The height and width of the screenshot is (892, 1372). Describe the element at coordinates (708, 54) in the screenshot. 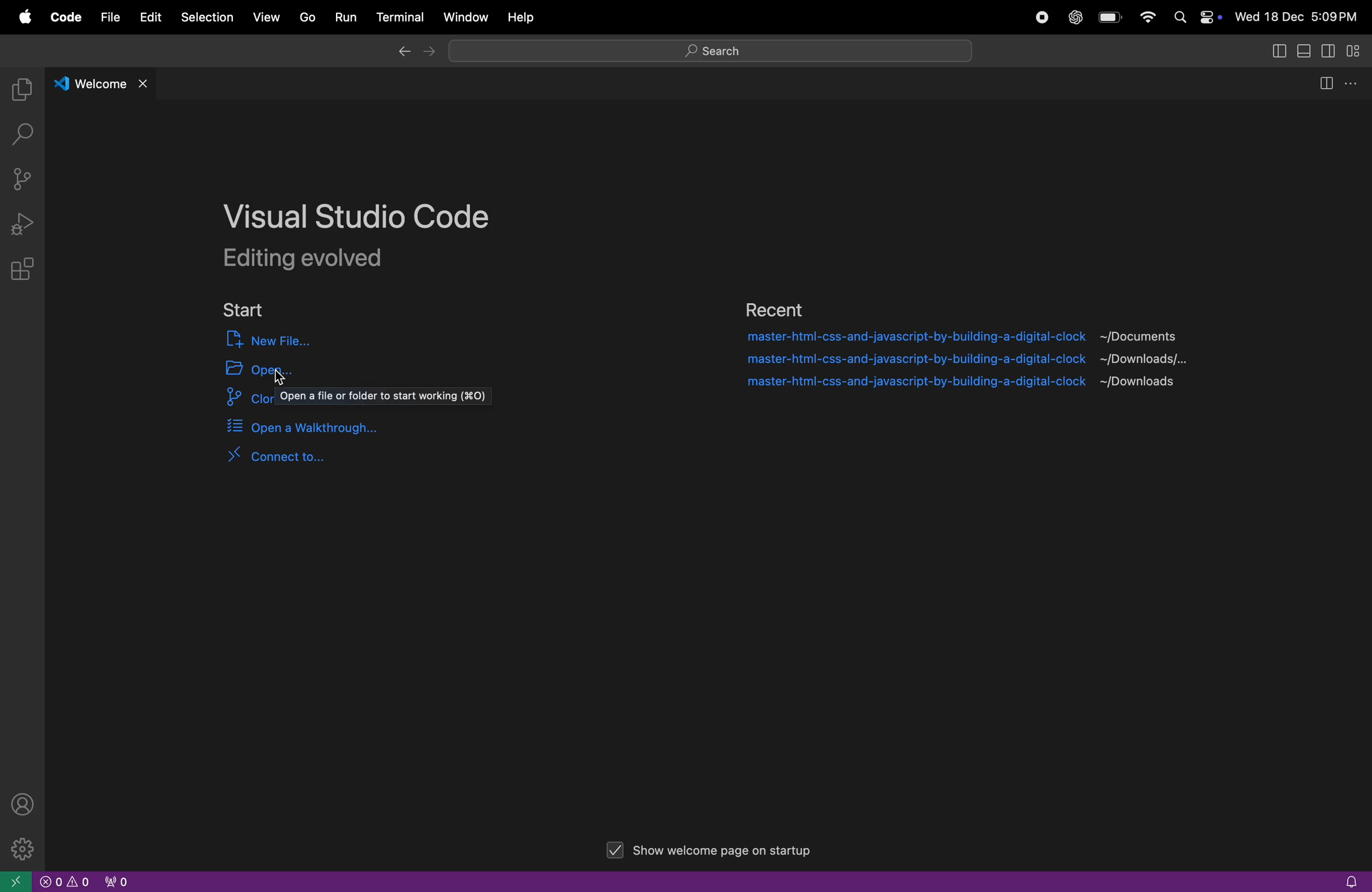

I see `search bar` at that location.